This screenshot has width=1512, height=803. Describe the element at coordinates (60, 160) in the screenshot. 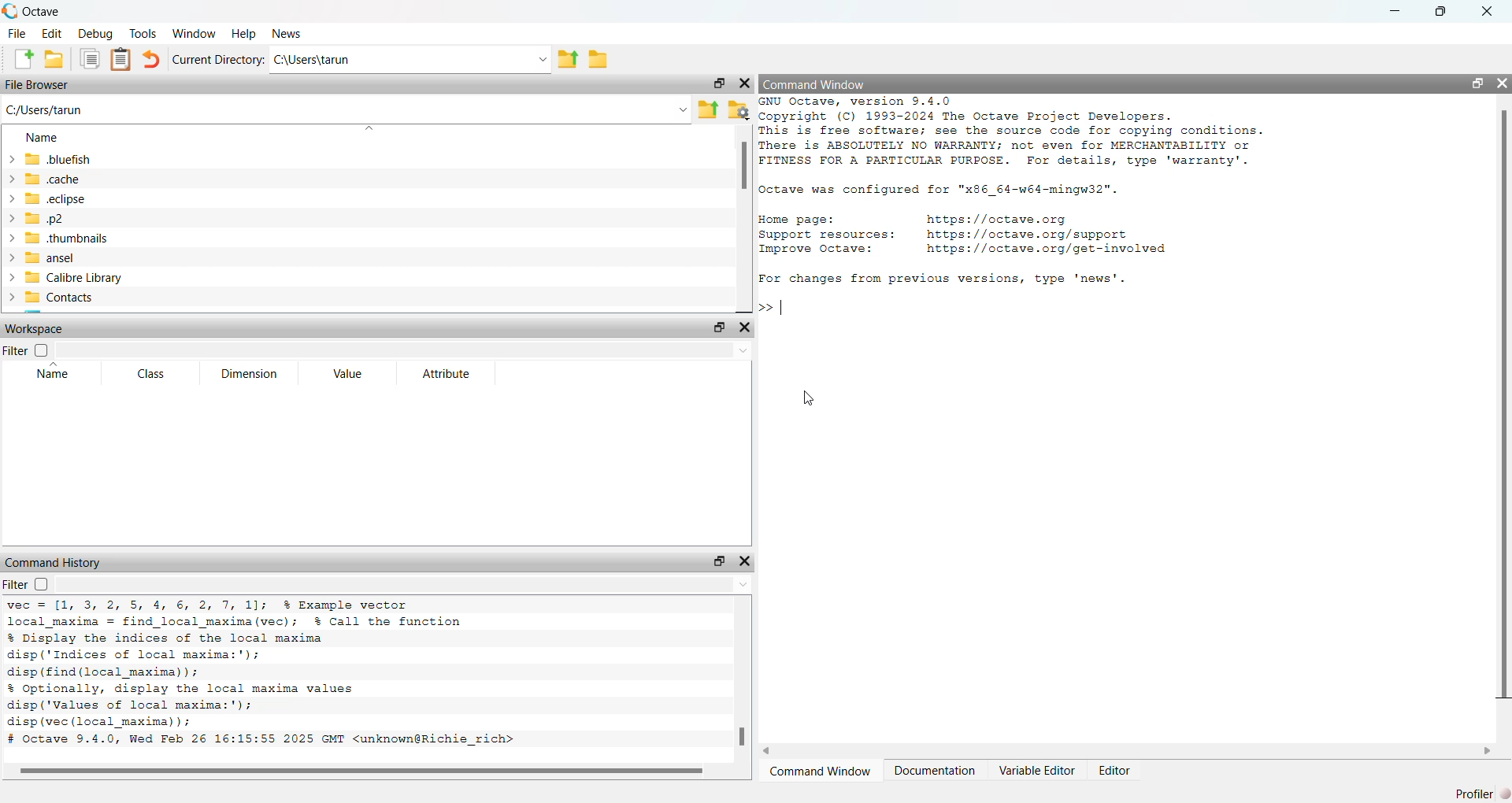

I see `.bluefish` at that location.